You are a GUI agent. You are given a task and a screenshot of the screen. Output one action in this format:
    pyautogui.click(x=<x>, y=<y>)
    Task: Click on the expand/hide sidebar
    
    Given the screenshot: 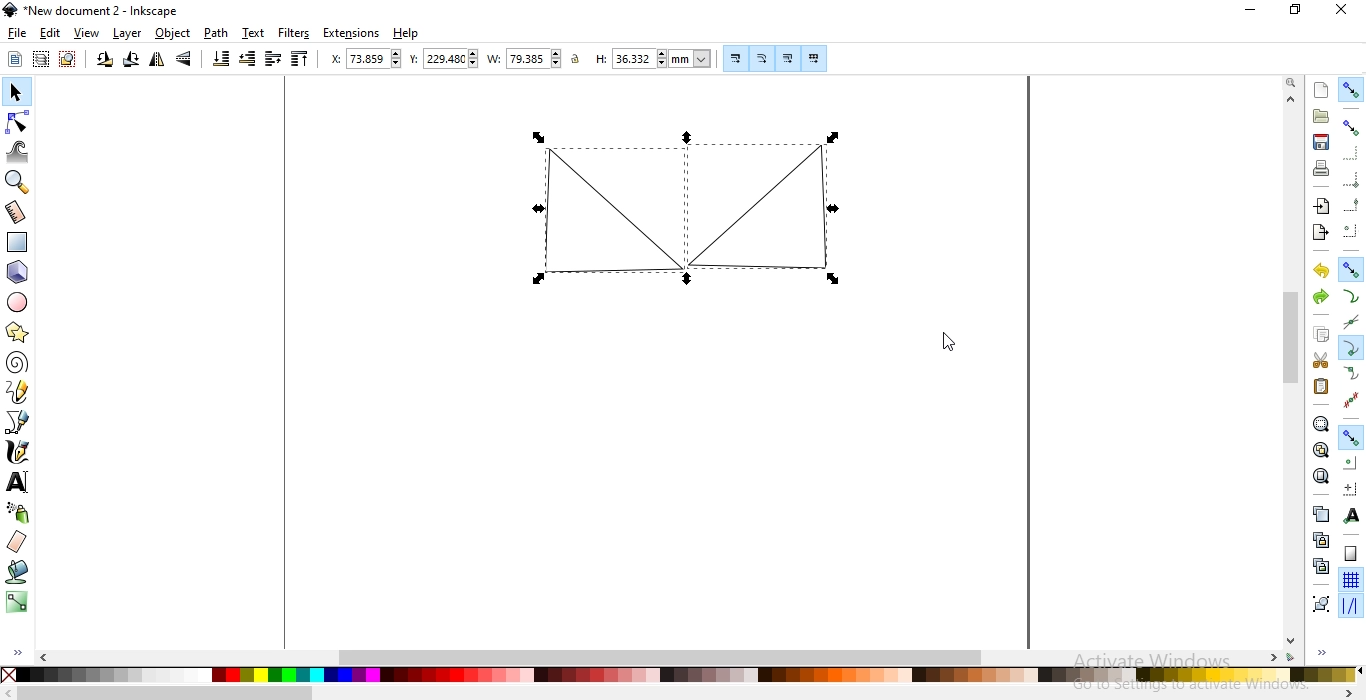 What is the action you would take?
    pyautogui.click(x=20, y=654)
    